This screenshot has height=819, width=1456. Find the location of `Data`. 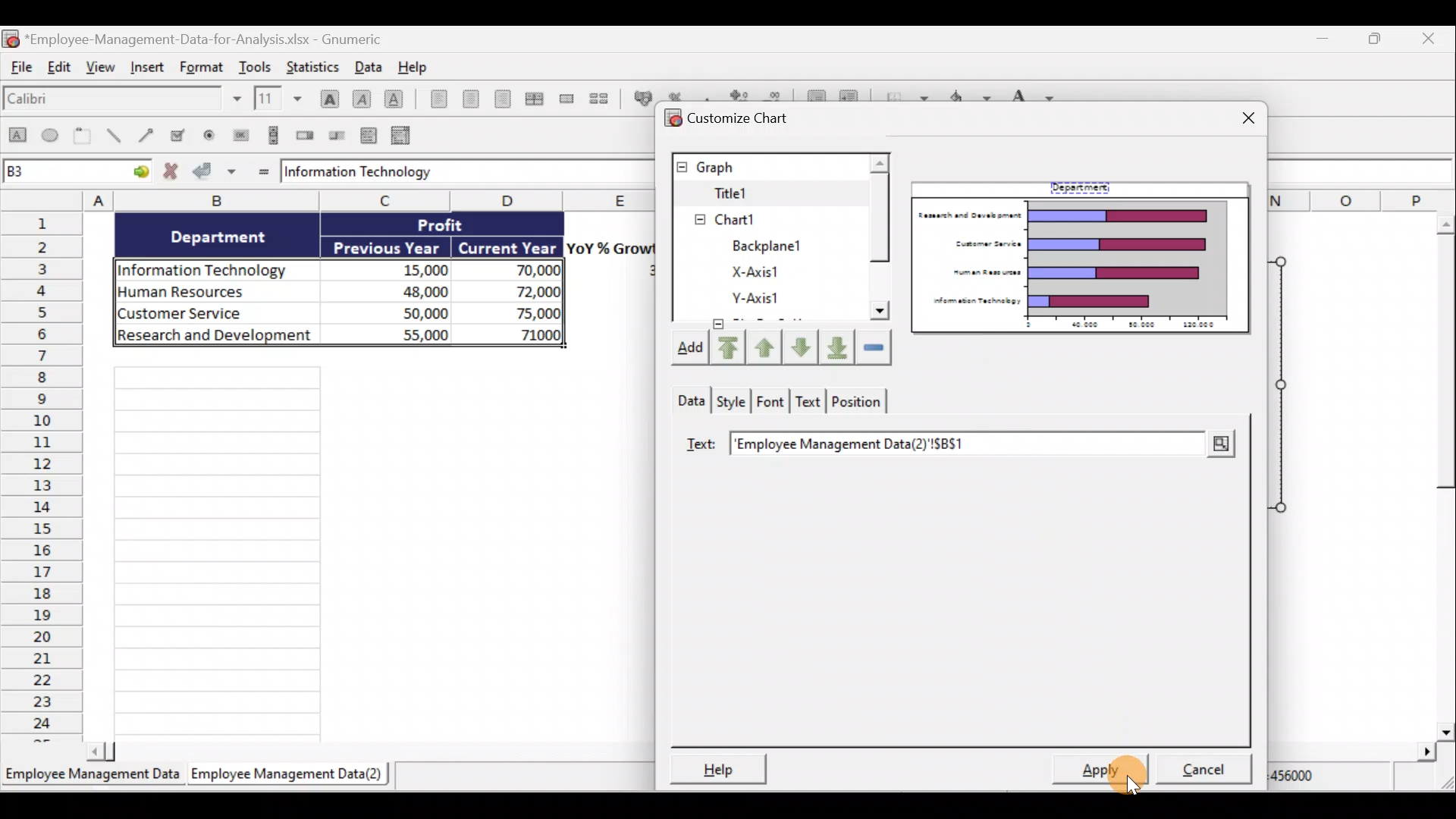

Data is located at coordinates (377, 284).